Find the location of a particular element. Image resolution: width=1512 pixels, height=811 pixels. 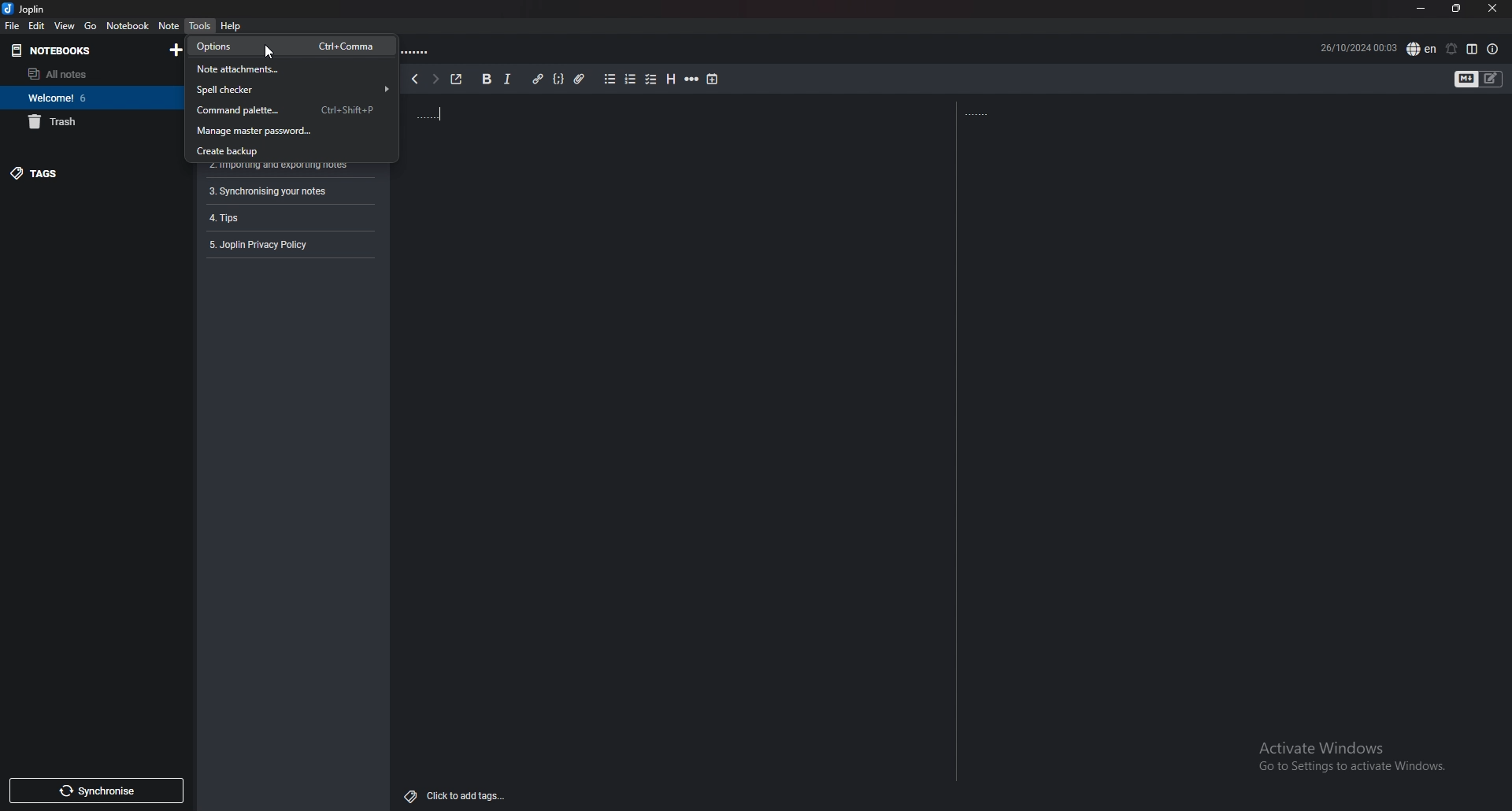

notebooks is located at coordinates (50, 50).